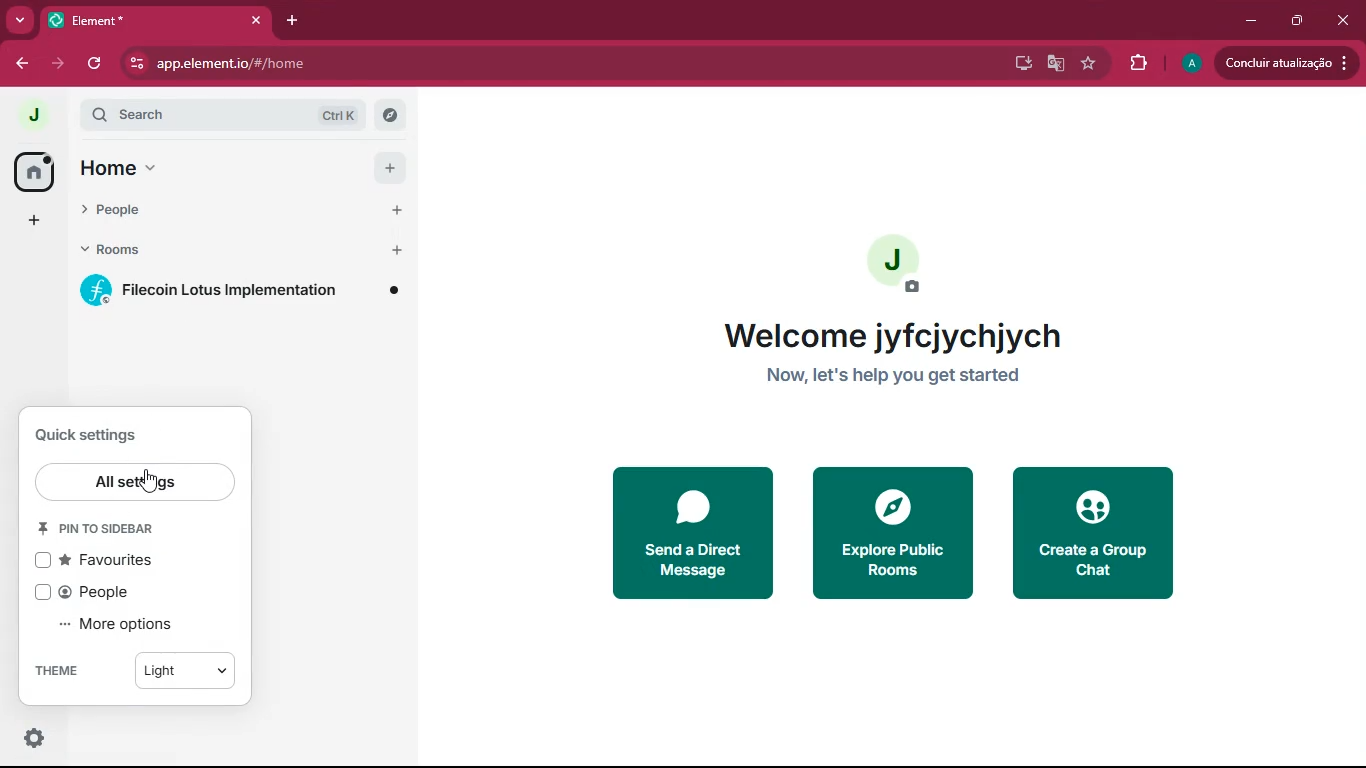 This screenshot has height=768, width=1366. What do you see at coordinates (159, 478) in the screenshot?
I see `cursor` at bounding box center [159, 478].